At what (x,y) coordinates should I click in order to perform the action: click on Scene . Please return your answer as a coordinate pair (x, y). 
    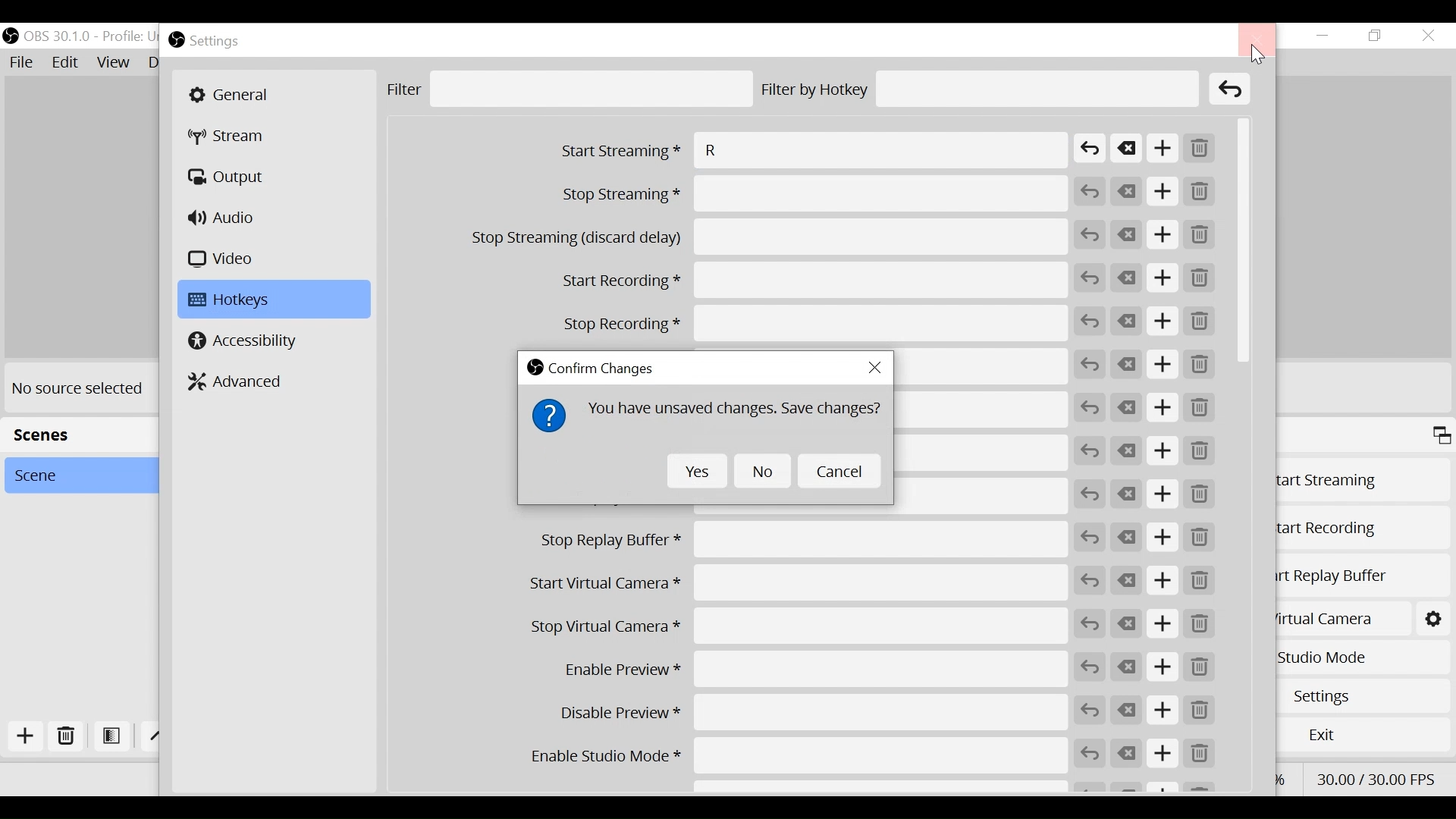
    Looking at the image, I should click on (74, 475).